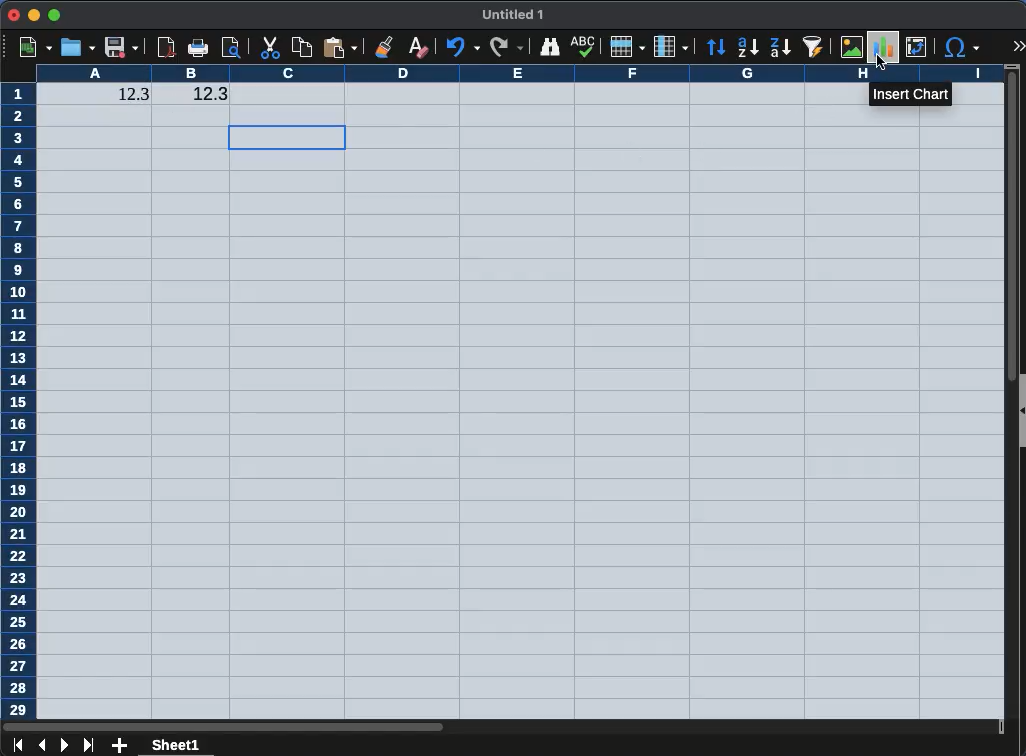 The width and height of the screenshot is (1026, 756). I want to click on autofilter, so click(812, 46).